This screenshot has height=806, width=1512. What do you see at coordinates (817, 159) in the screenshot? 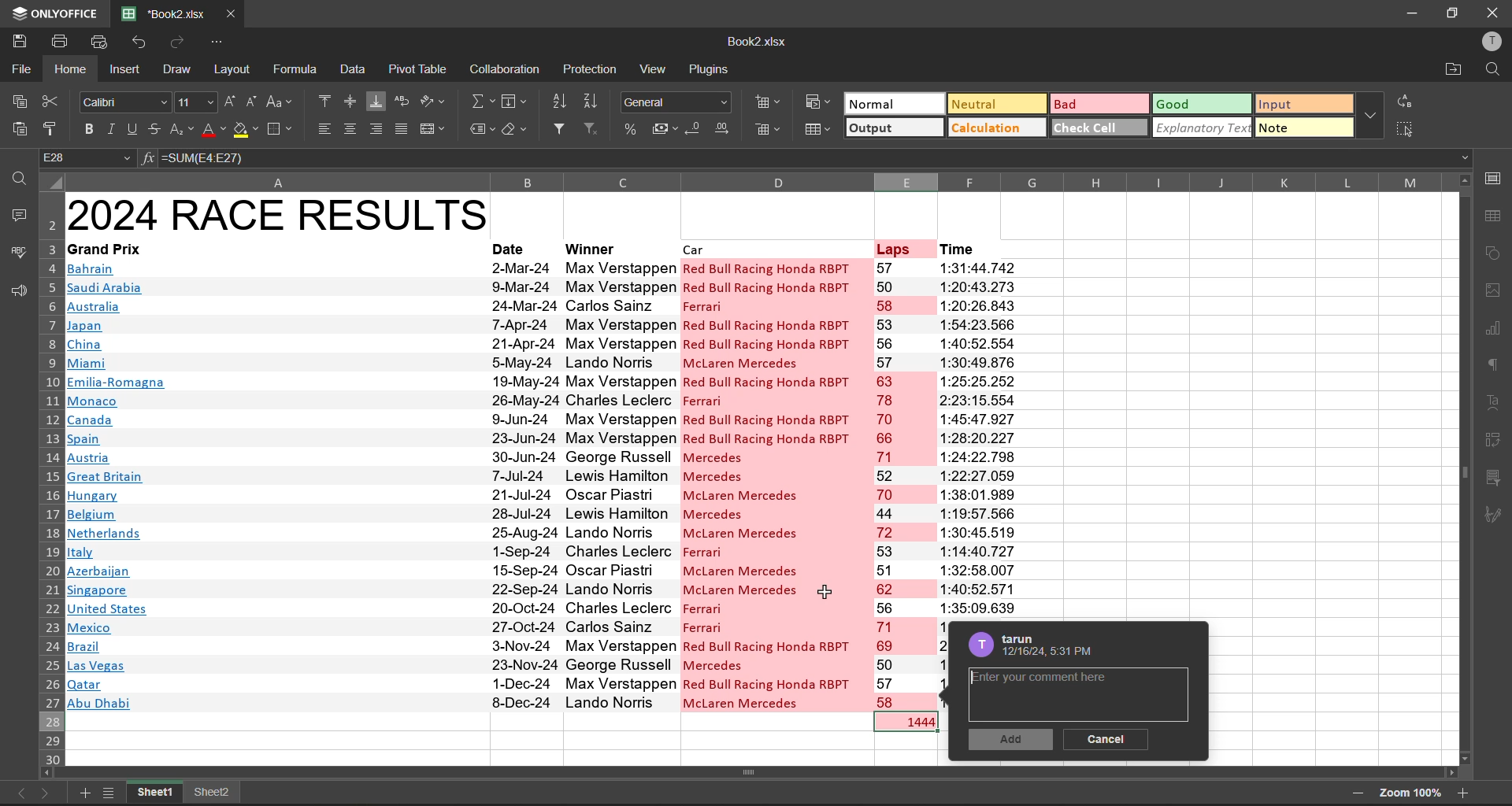
I see `formula bar` at bounding box center [817, 159].